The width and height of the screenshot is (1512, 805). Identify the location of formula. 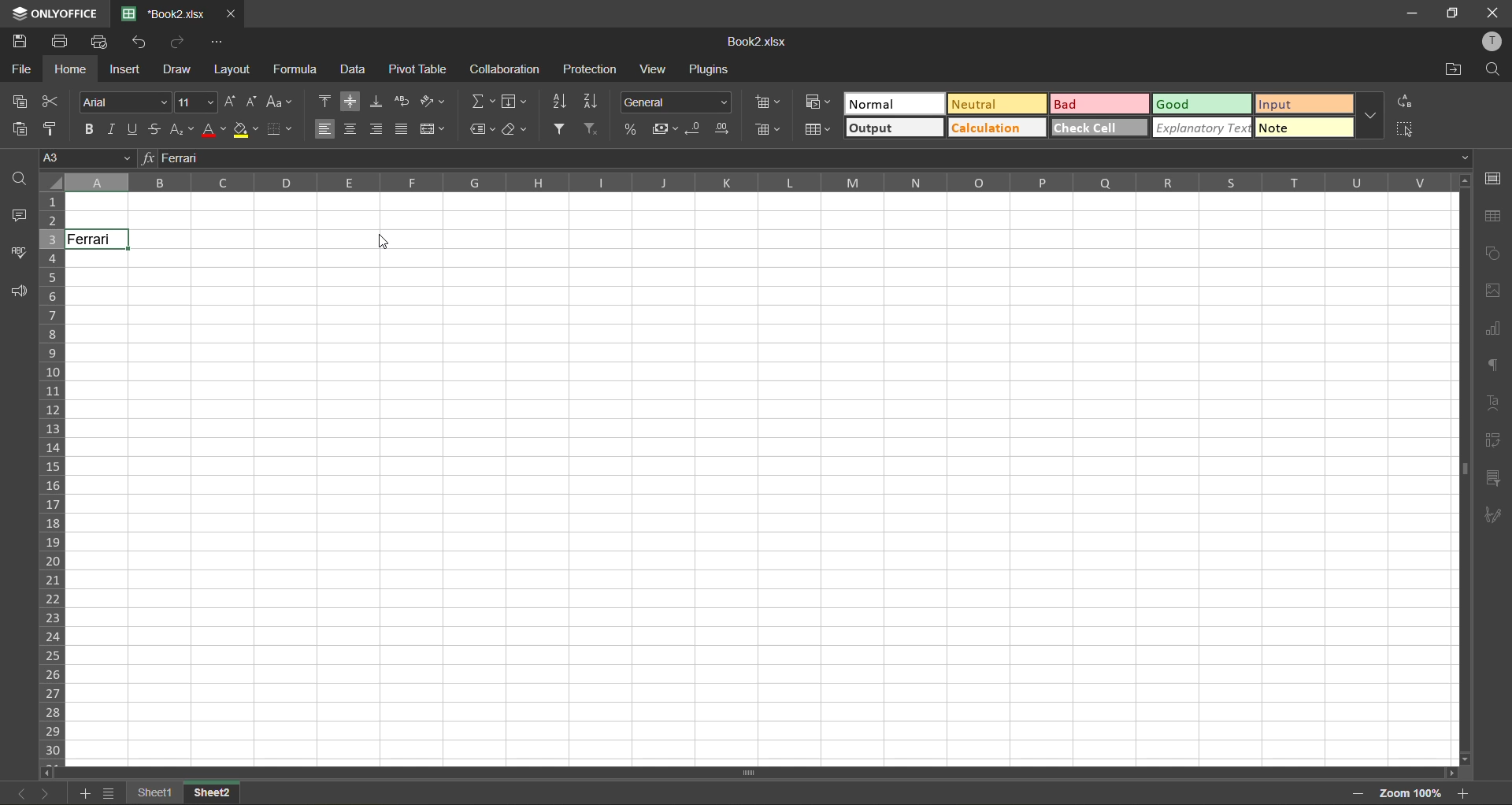
(297, 69).